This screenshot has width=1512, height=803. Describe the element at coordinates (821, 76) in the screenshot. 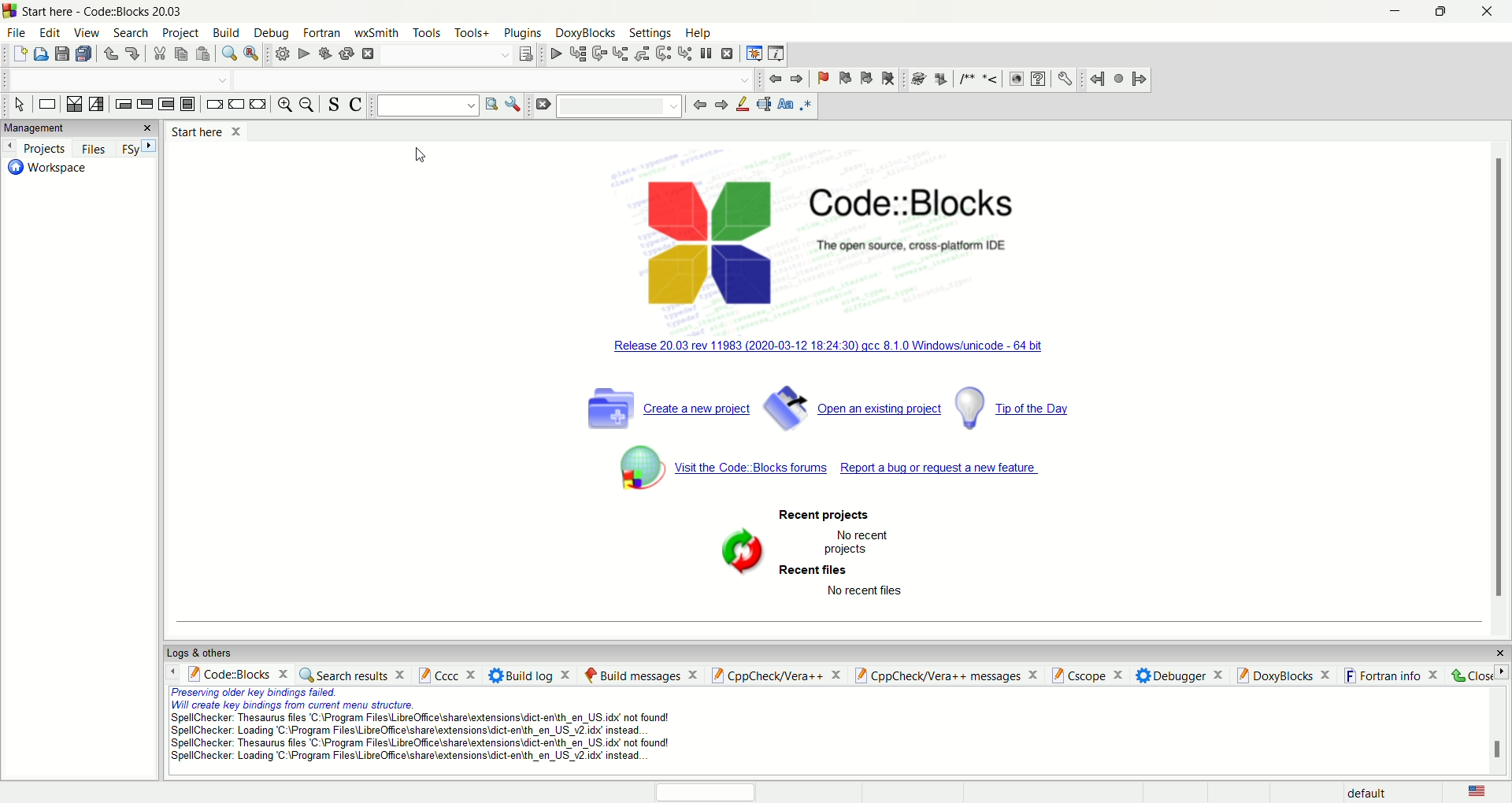

I see `toggle bookmark` at that location.